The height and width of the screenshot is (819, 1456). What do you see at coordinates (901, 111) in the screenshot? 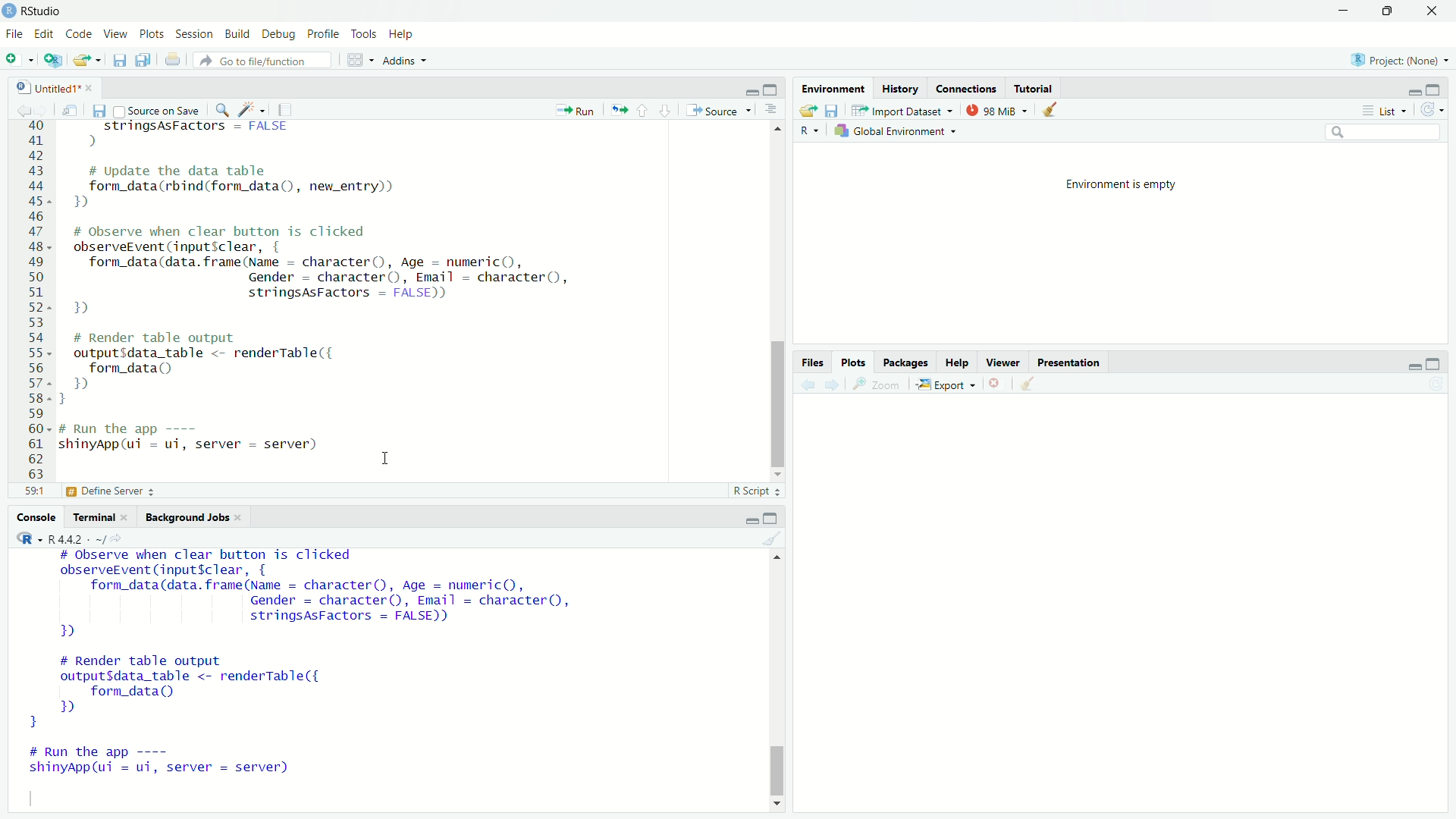
I see `import dataset` at bounding box center [901, 111].